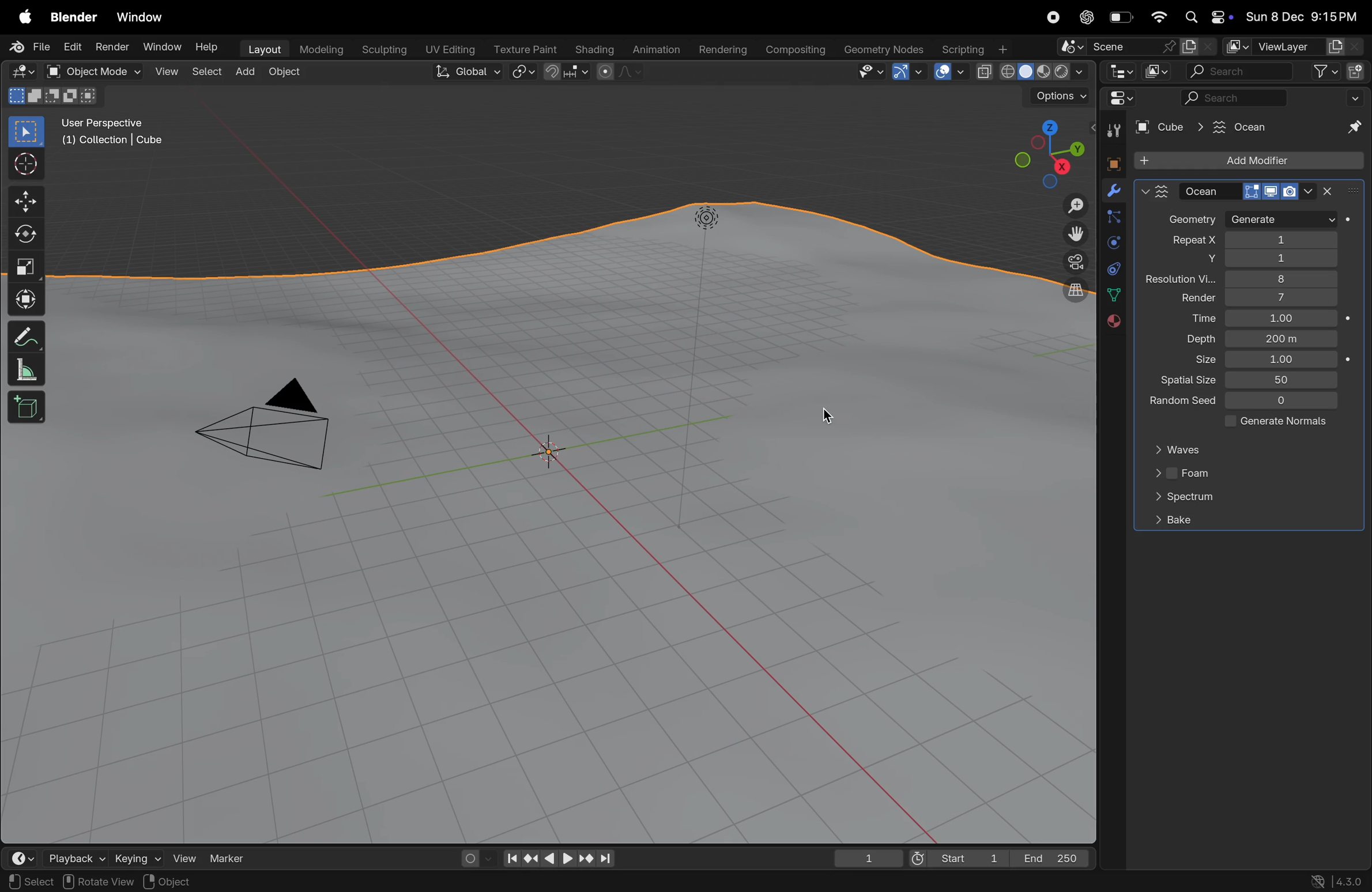 This screenshot has height=892, width=1372. I want to click on modes, so click(52, 96).